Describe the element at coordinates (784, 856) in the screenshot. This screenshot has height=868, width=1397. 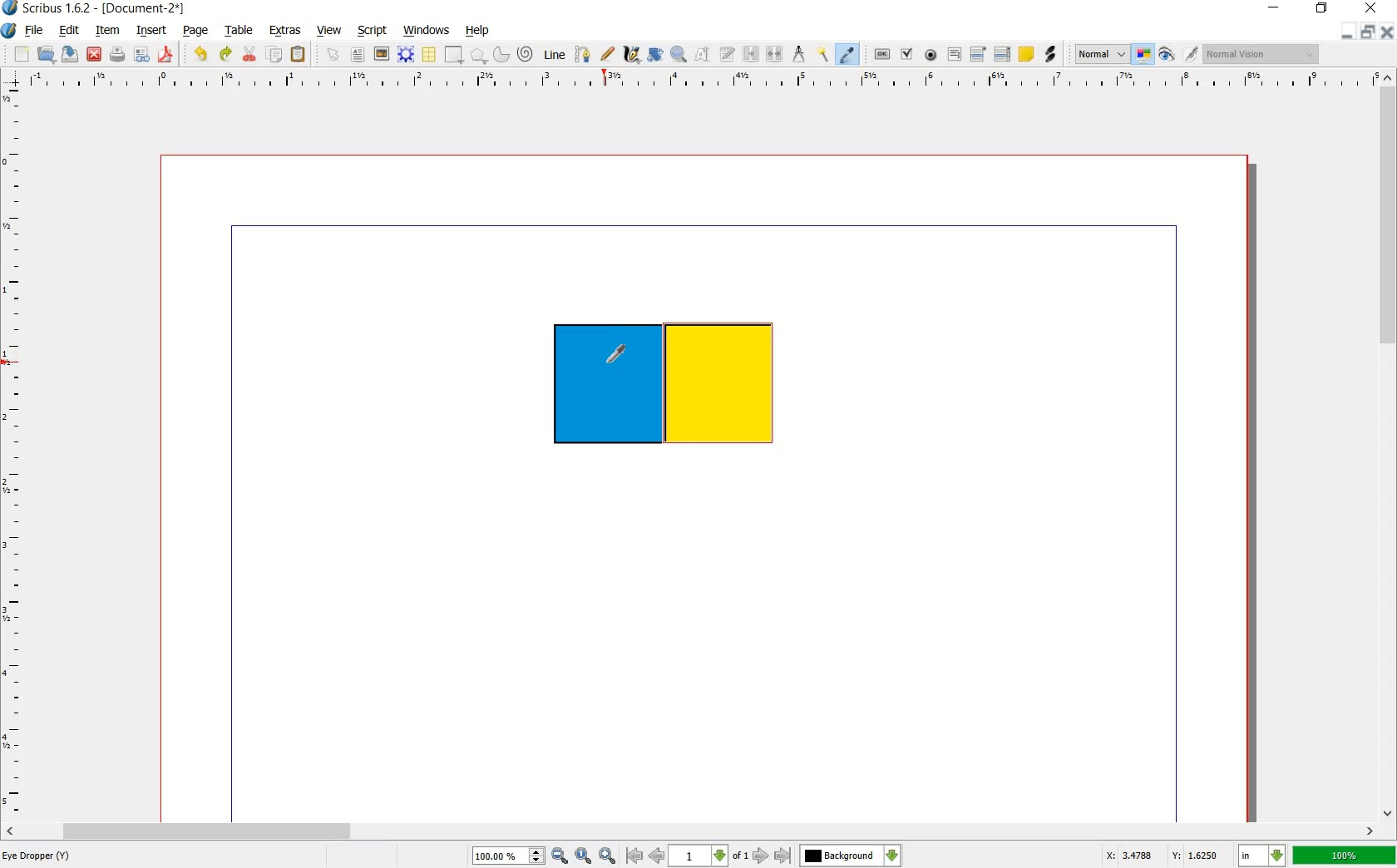
I see `go to last page` at that location.